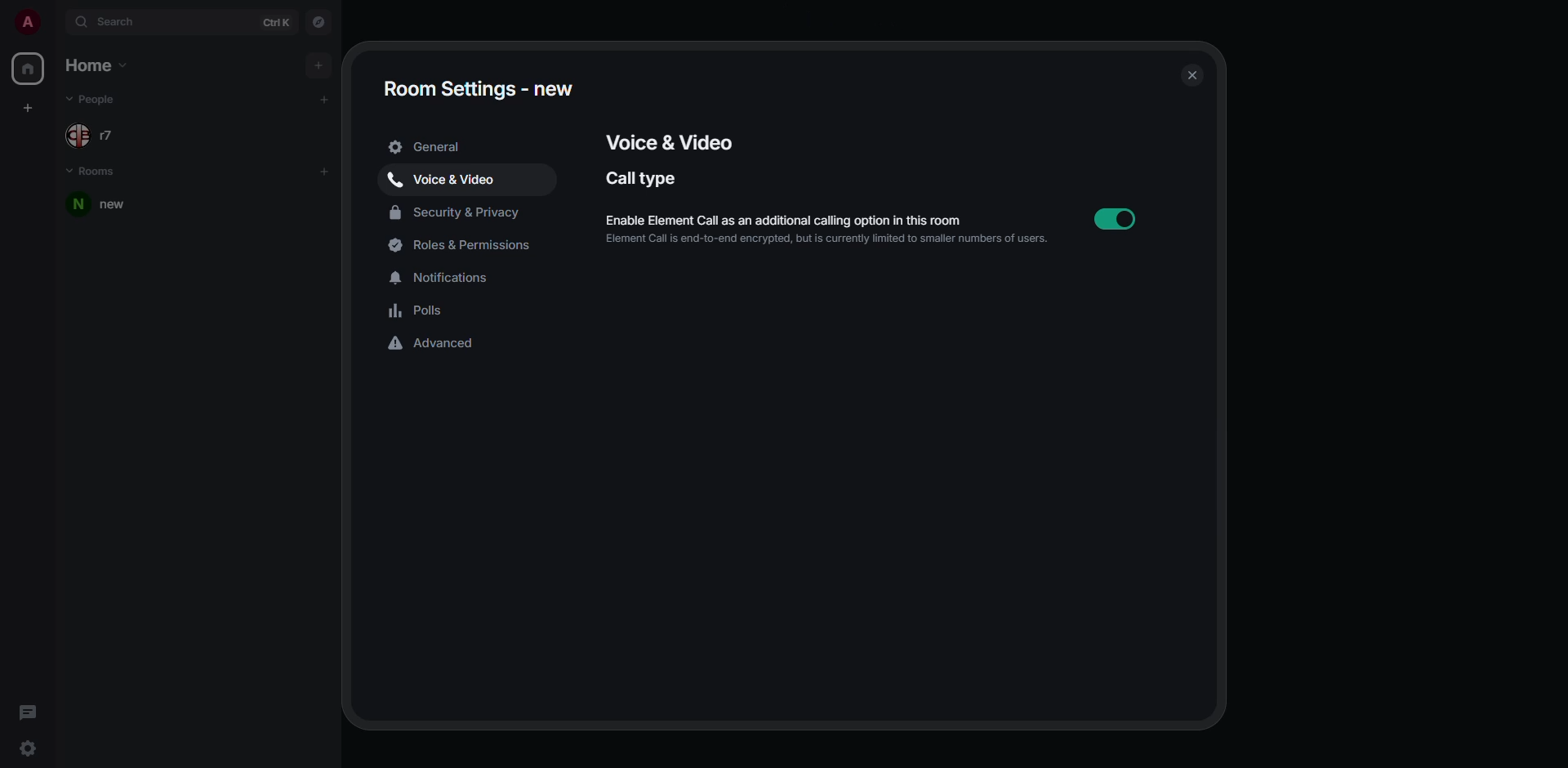 The image size is (1568, 768). Describe the element at coordinates (447, 181) in the screenshot. I see `voice & video` at that location.